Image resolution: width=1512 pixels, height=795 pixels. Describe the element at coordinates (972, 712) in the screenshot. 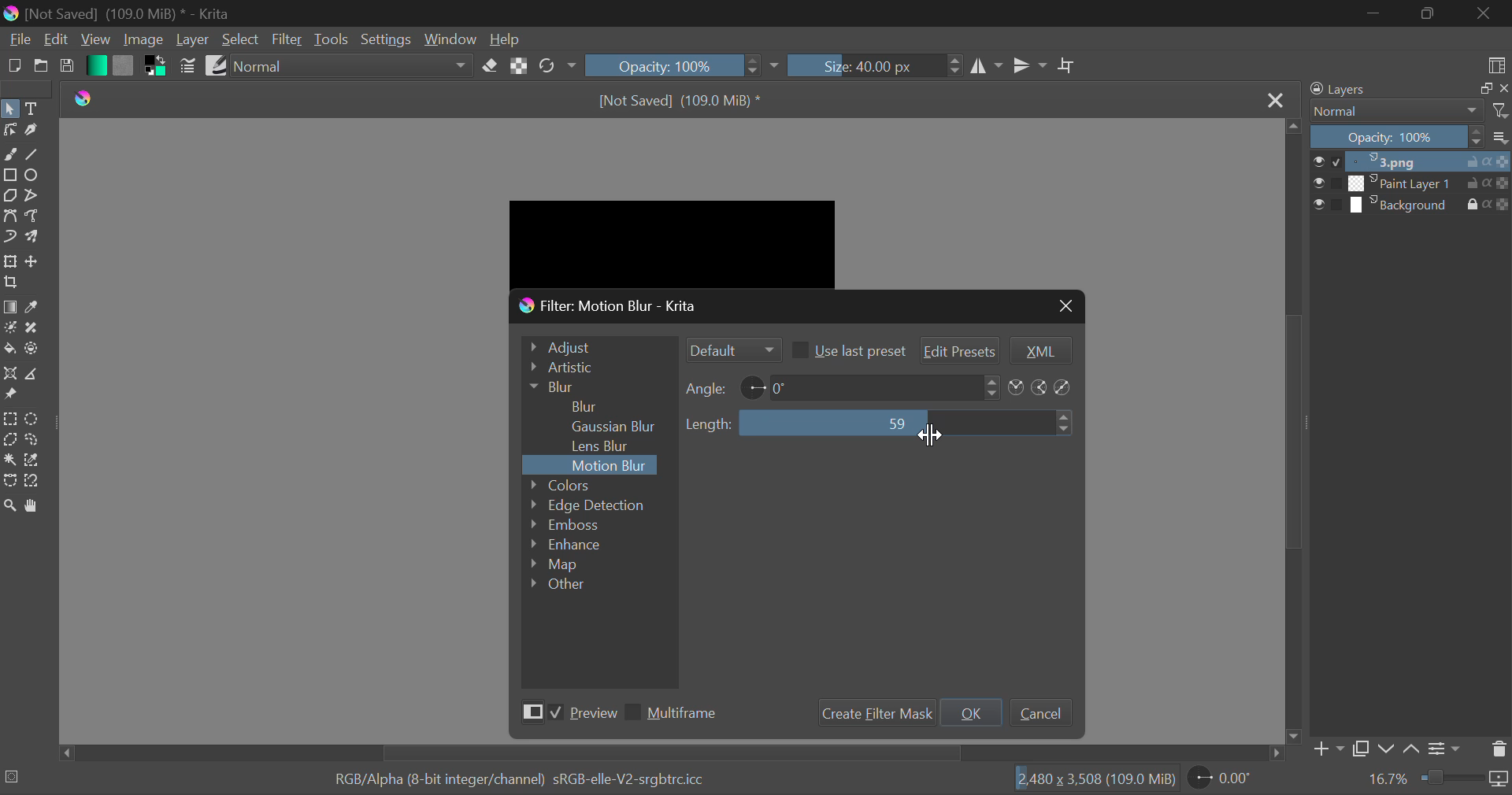

I see `OK` at that location.